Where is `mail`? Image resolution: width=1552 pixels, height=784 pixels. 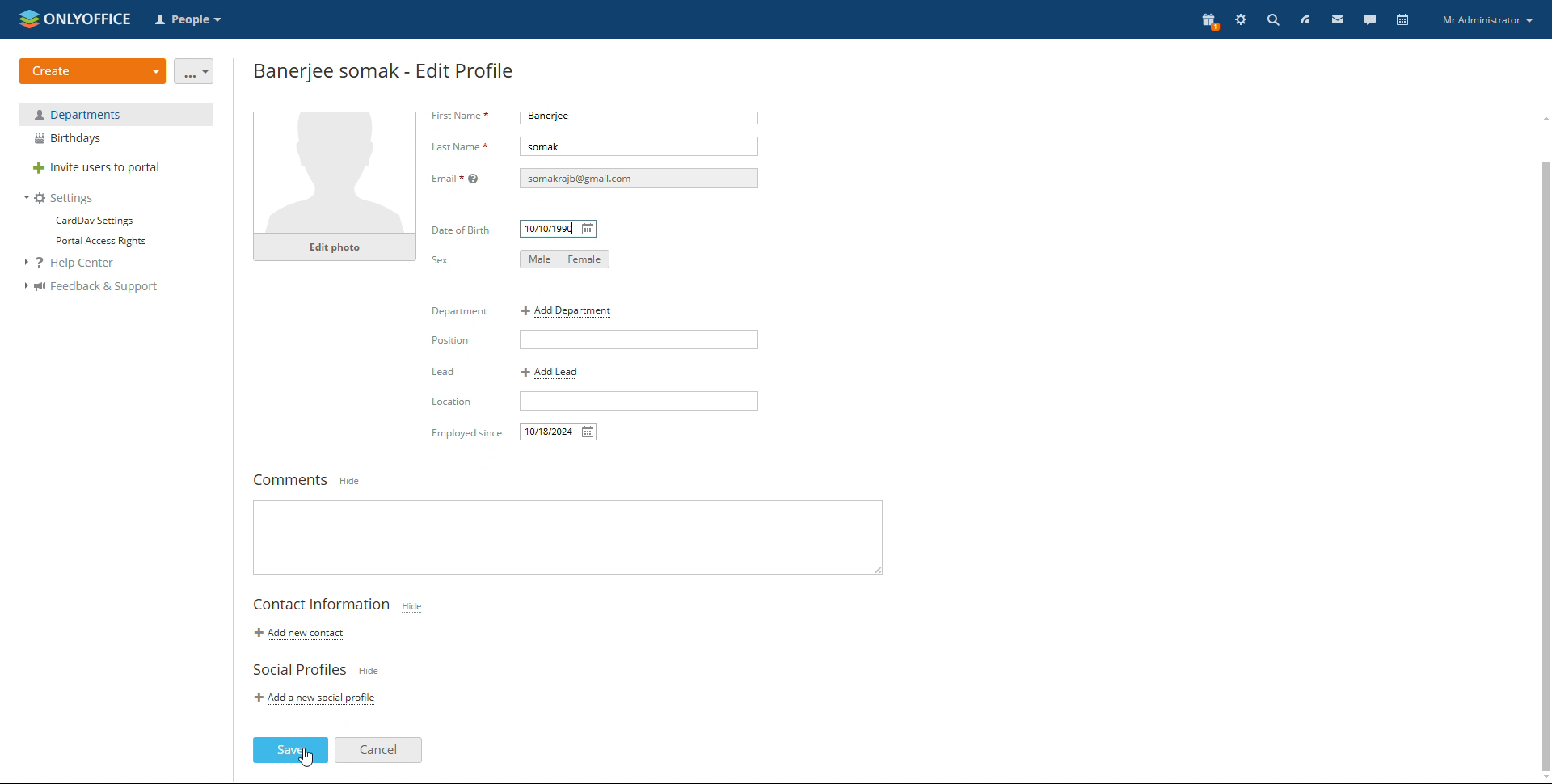
mail is located at coordinates (1336, 19).